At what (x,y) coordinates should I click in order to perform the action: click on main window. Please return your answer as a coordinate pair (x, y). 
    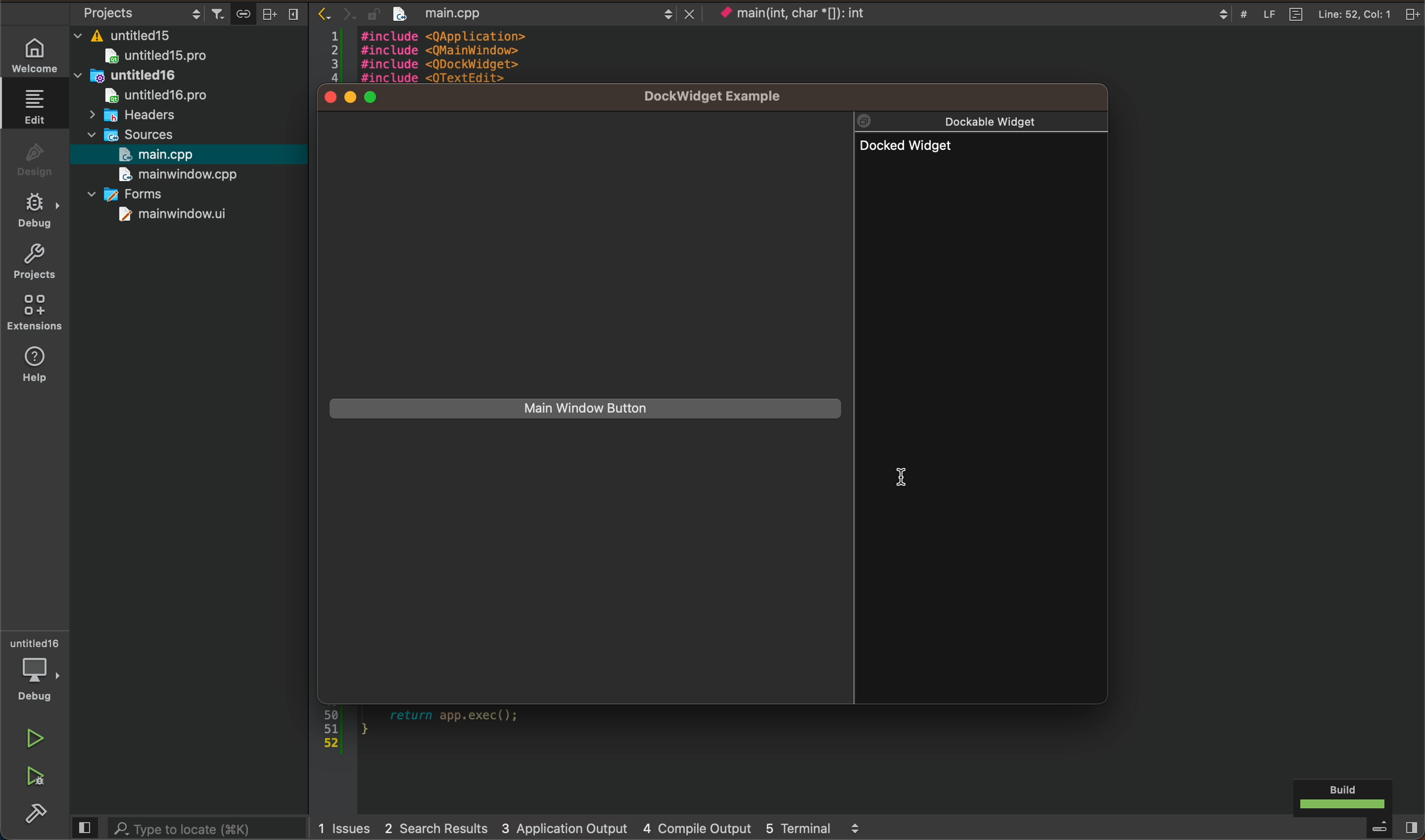
    Looking at the image, I should click on (582, 408).